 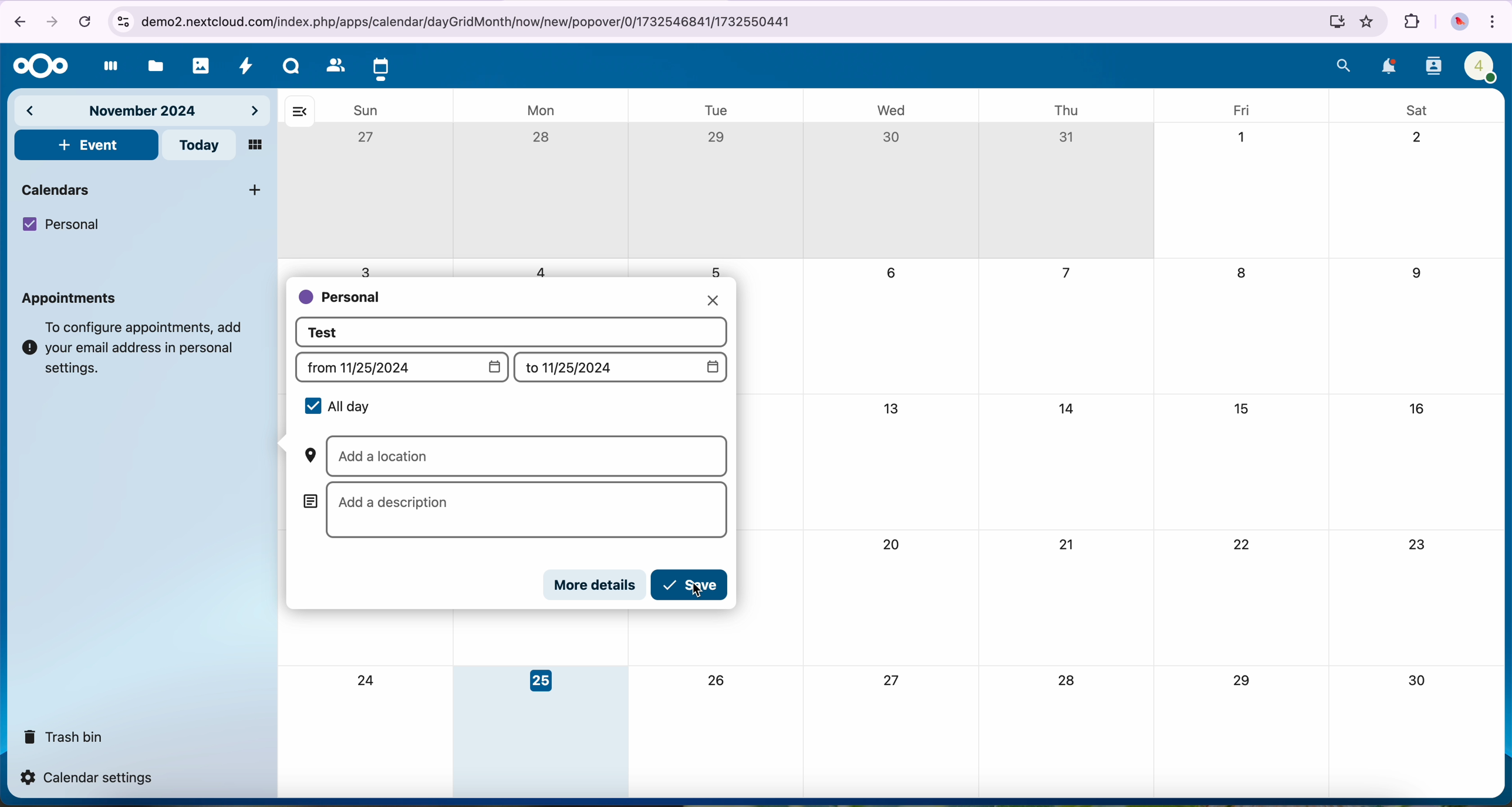 What do you see at coordinates (341, 298) in the screenshot?
I see `personal` at bounding box center [341, 298].